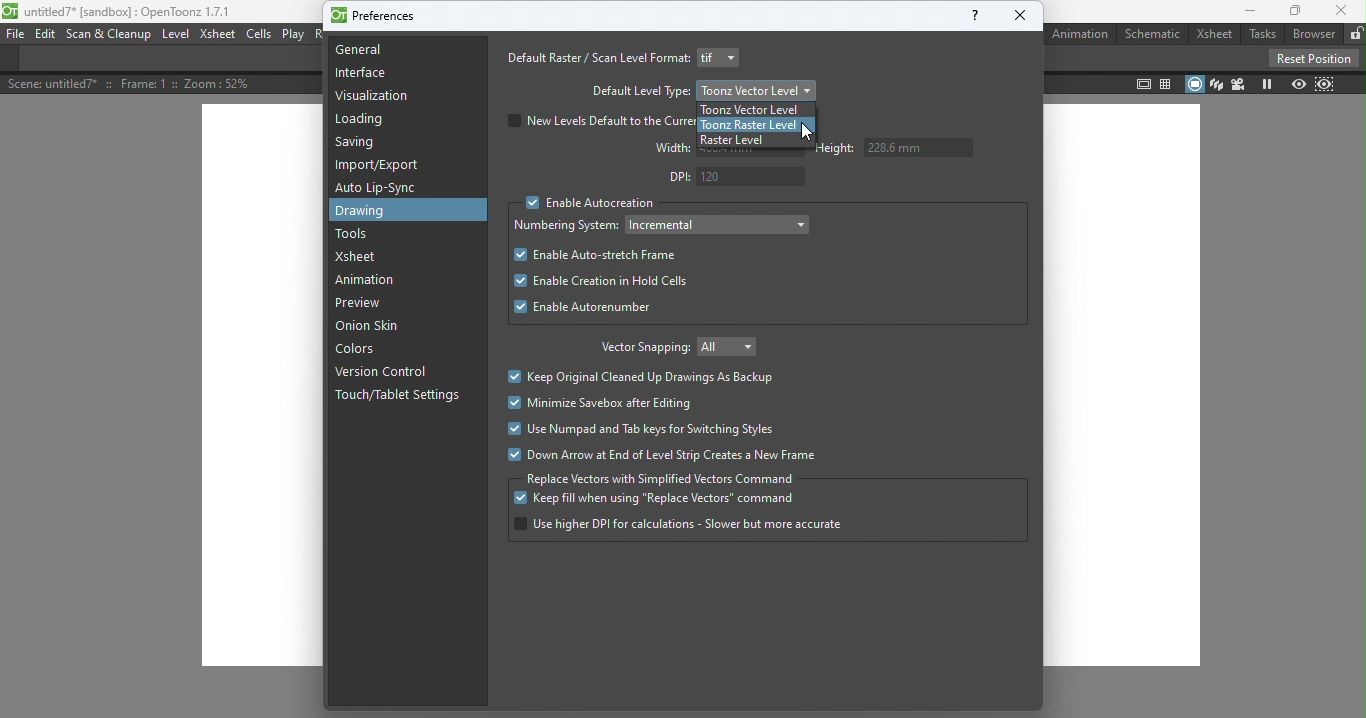 The image size is (1366, 718). Describe the element at coordinates (373, 328) in the screenshot. I see `Onion skin` at that location.